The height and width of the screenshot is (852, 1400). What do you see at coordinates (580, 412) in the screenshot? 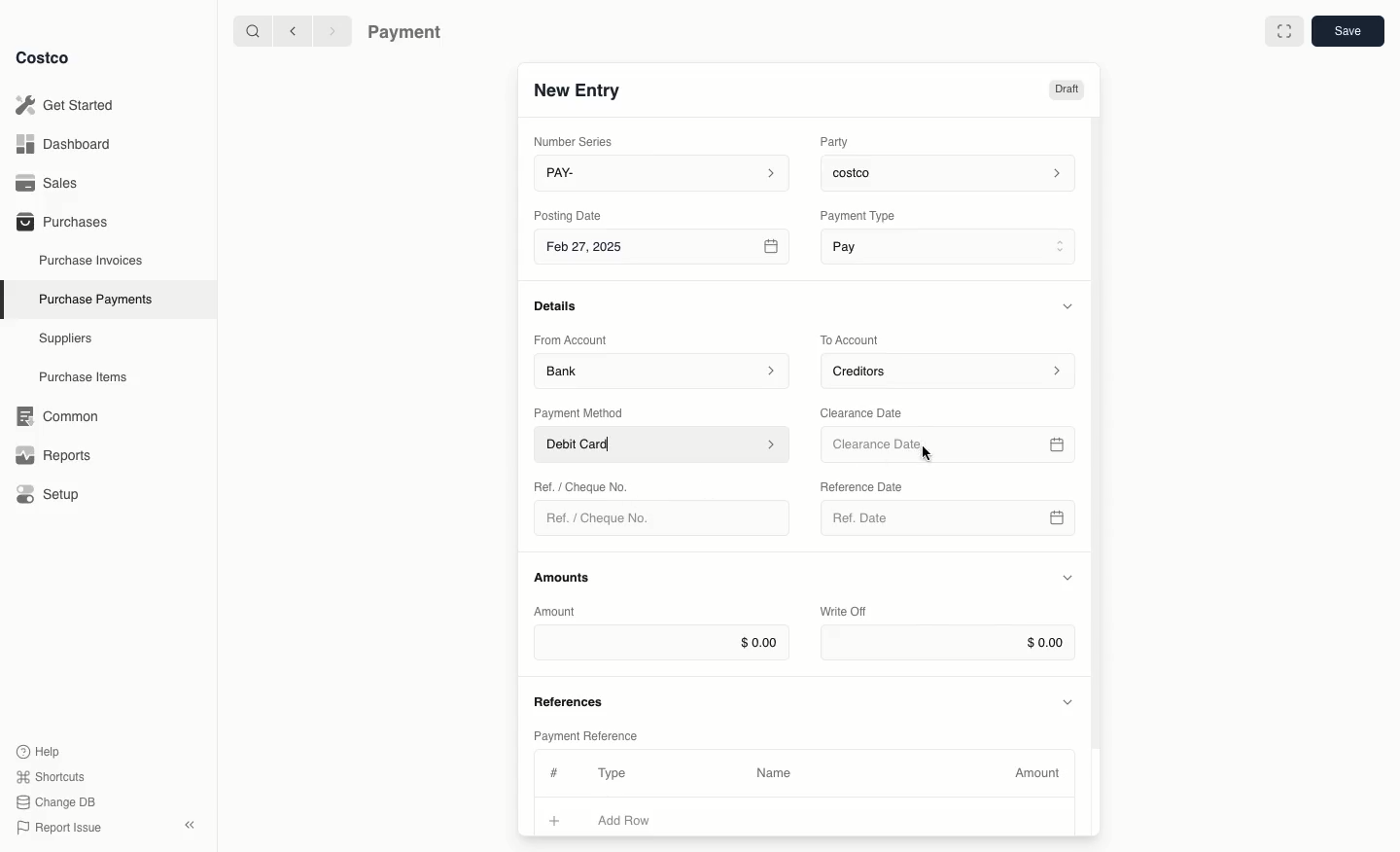
I see `Payment Method` at bounding box center [580, 412].